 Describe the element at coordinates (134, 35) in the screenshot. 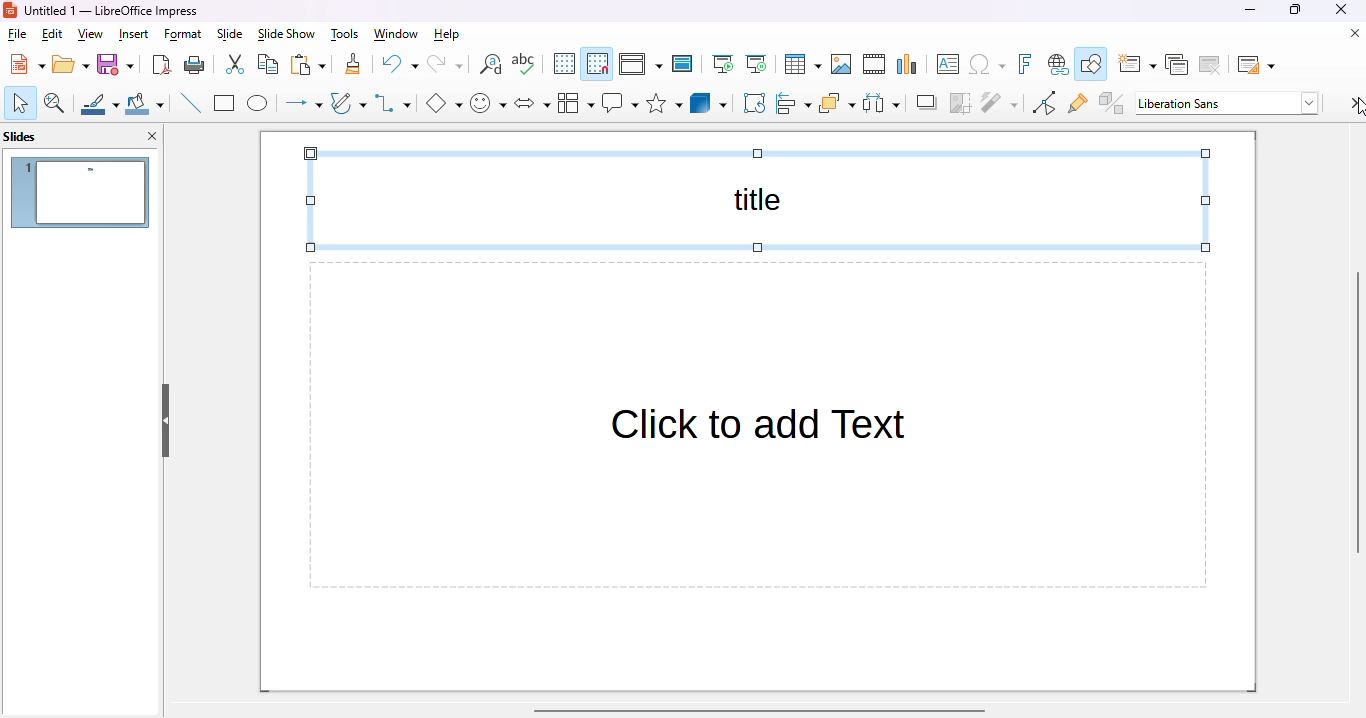

I see `insert` at that location.